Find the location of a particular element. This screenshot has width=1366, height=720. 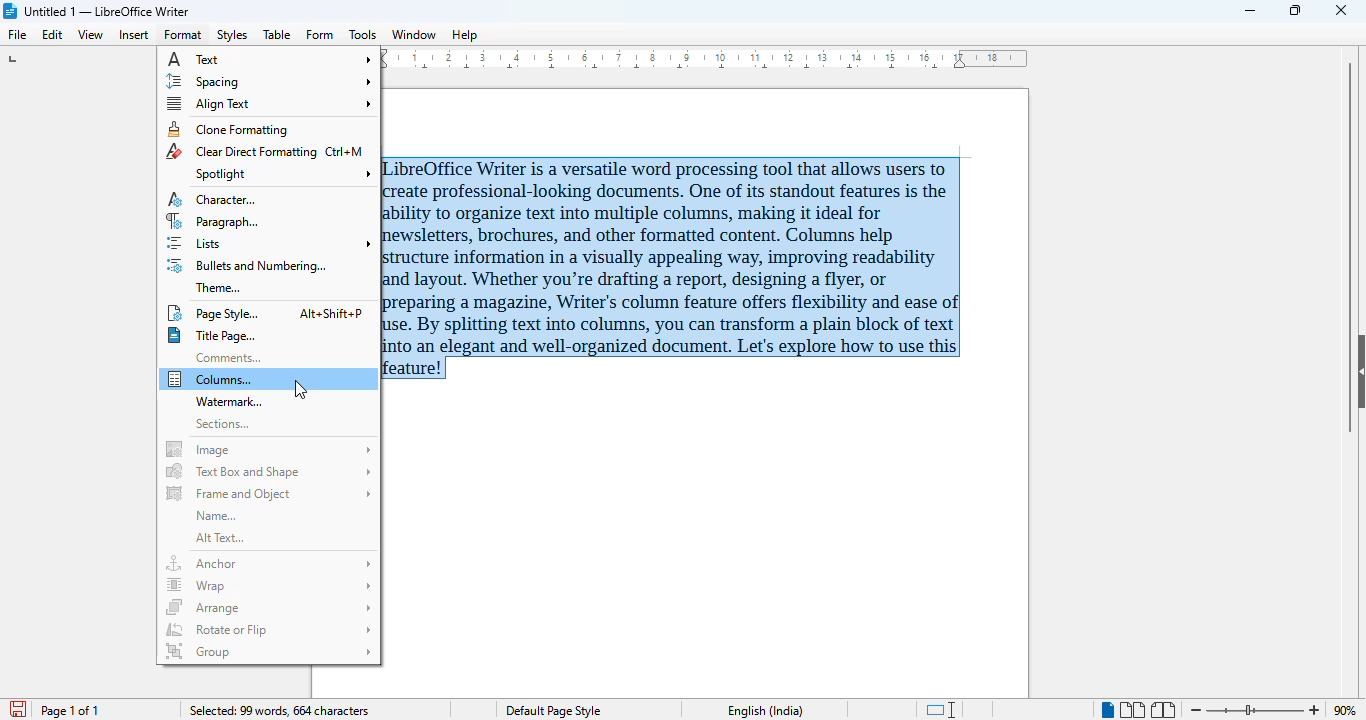

arrange is located at coordinates (269, 607).